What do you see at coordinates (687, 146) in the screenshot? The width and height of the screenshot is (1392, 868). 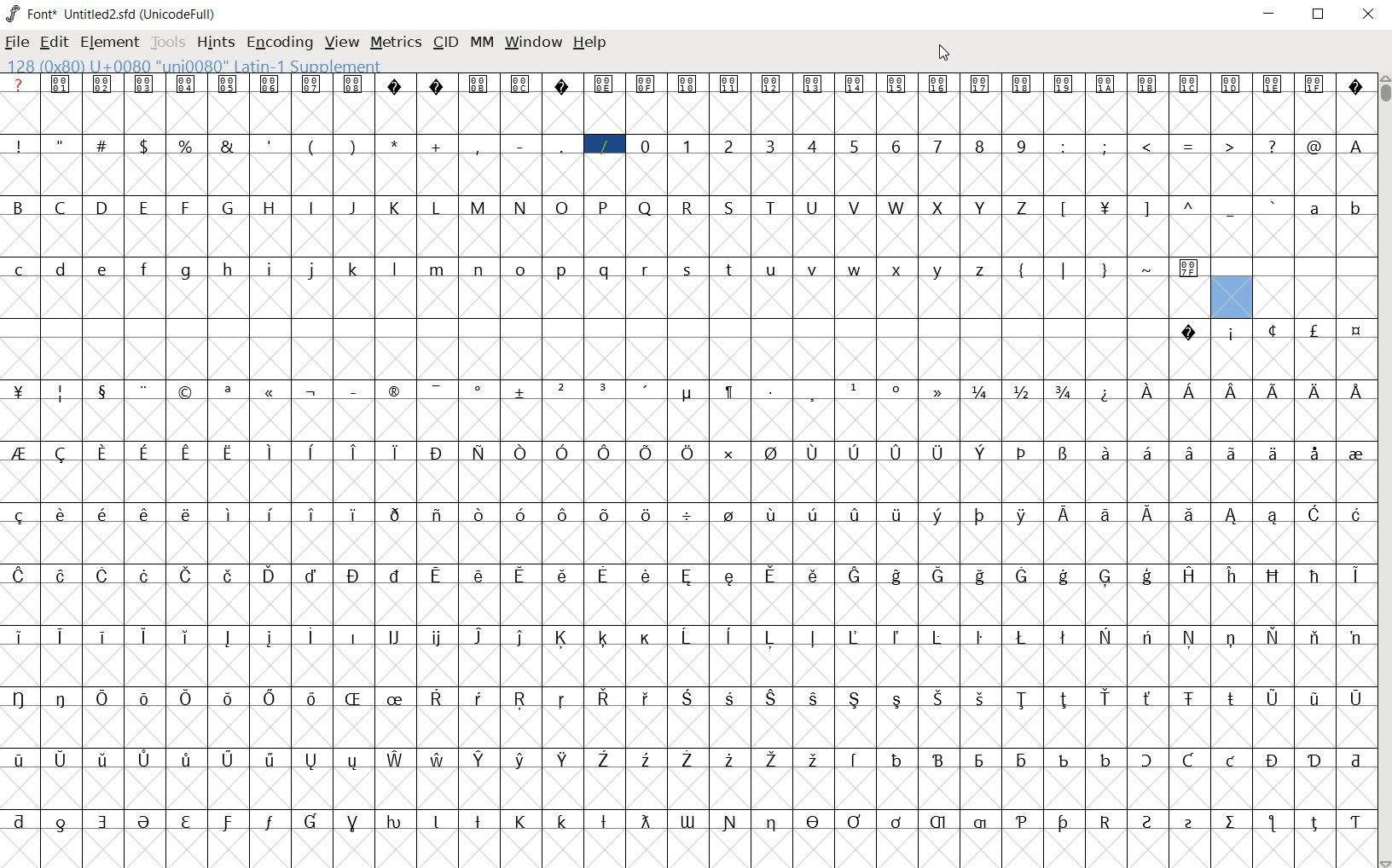 I see `glyph` at bounding box center [687, 146].